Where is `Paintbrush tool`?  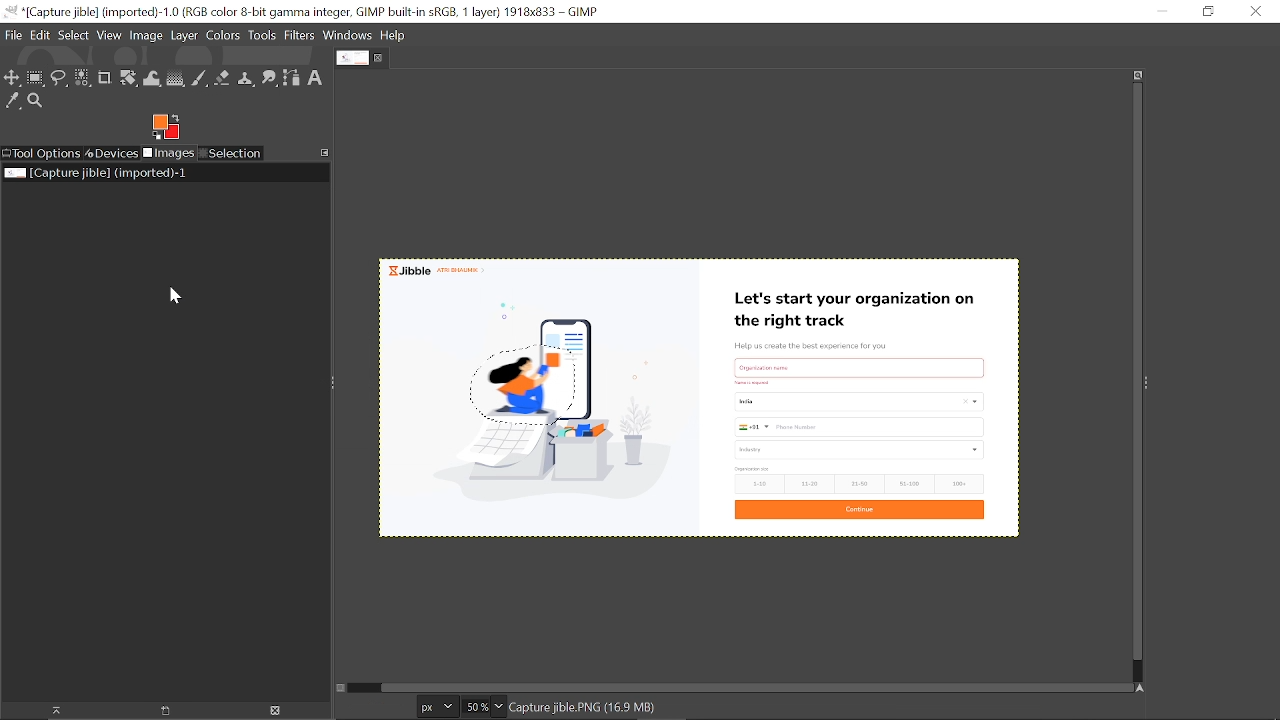 Paintbrush tool is located at coordinates (200, 79).